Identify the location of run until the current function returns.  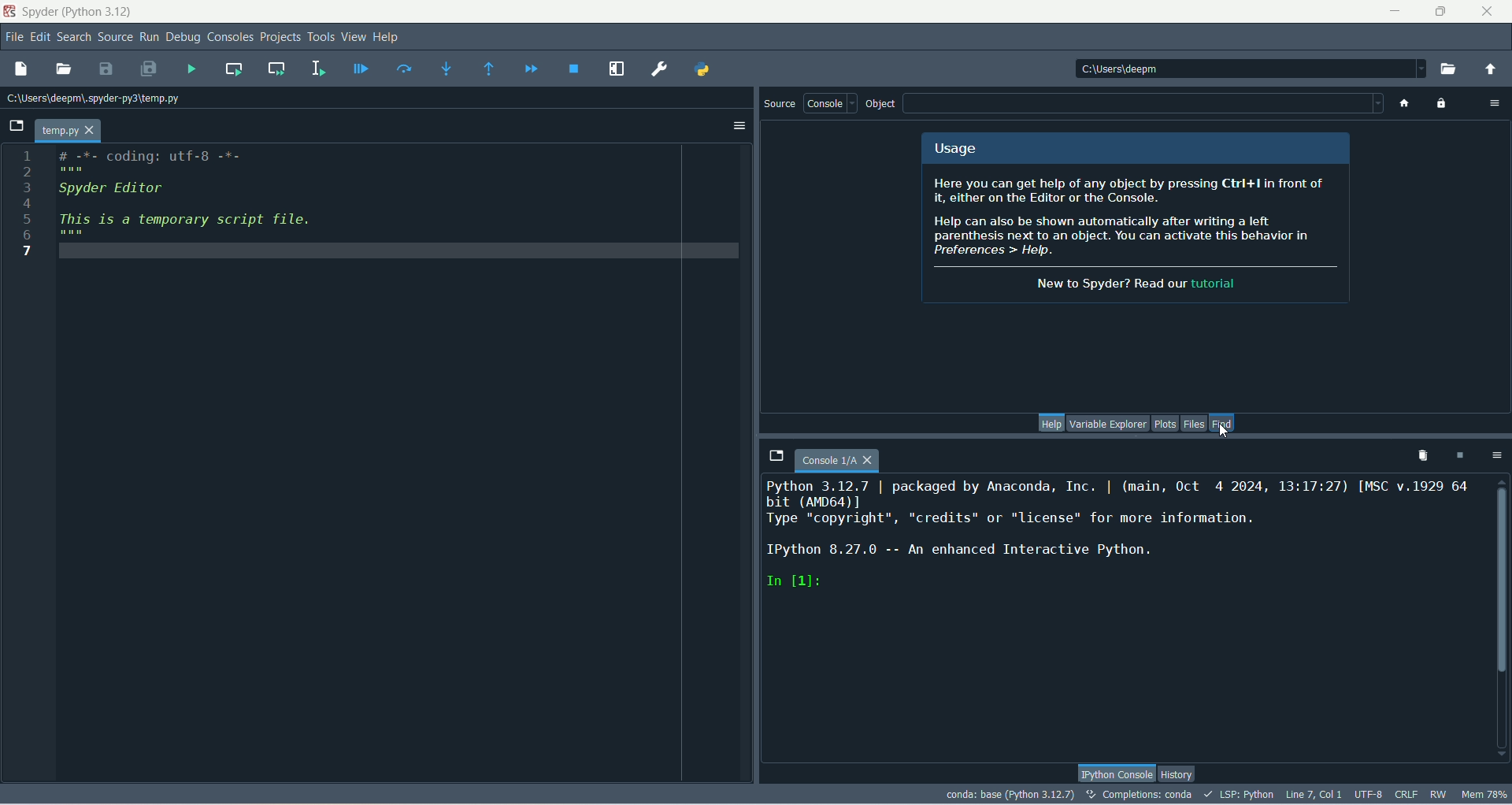
(489, 69).